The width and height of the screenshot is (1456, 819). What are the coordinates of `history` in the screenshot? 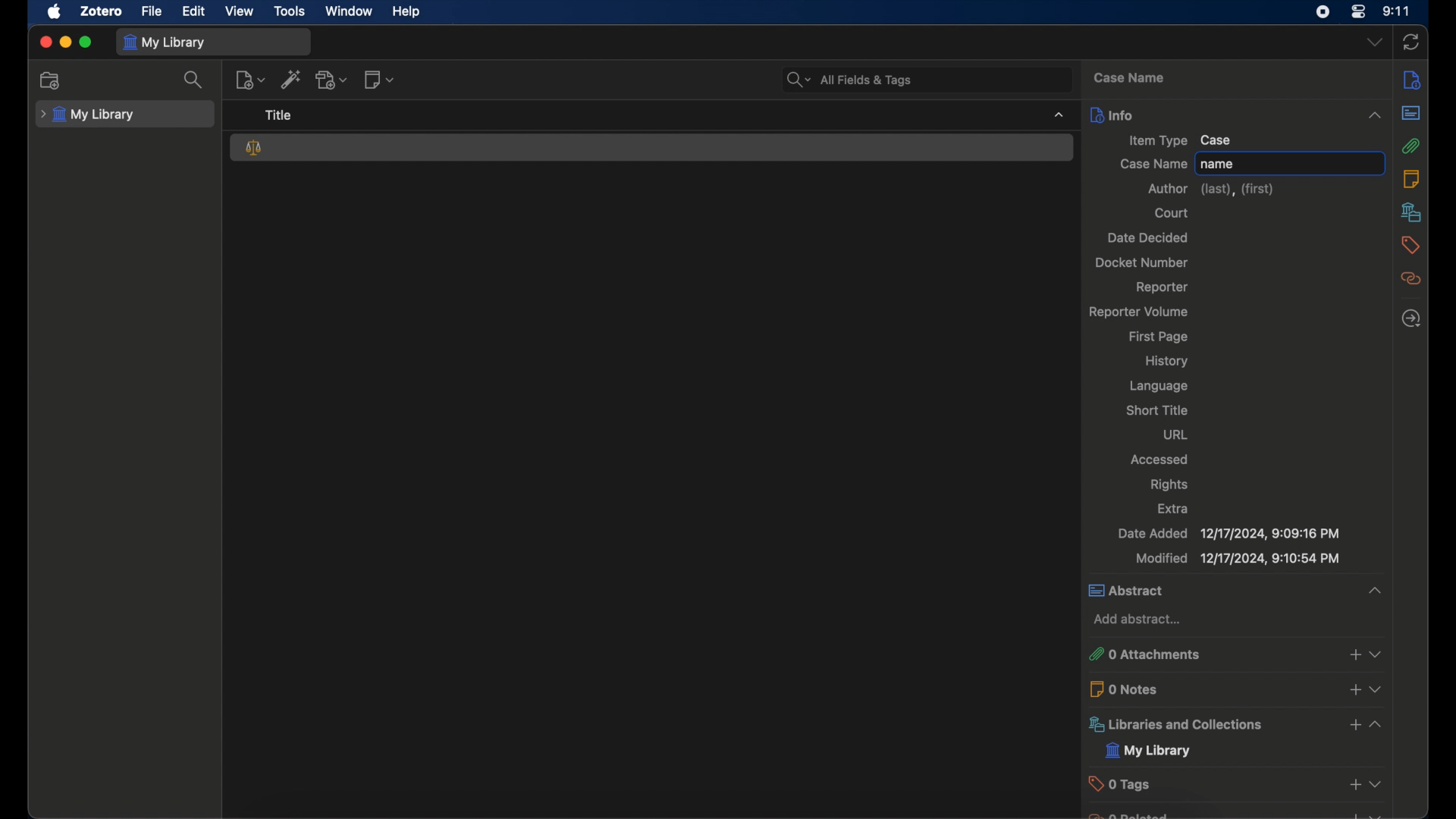 It's located at (1168, 362).